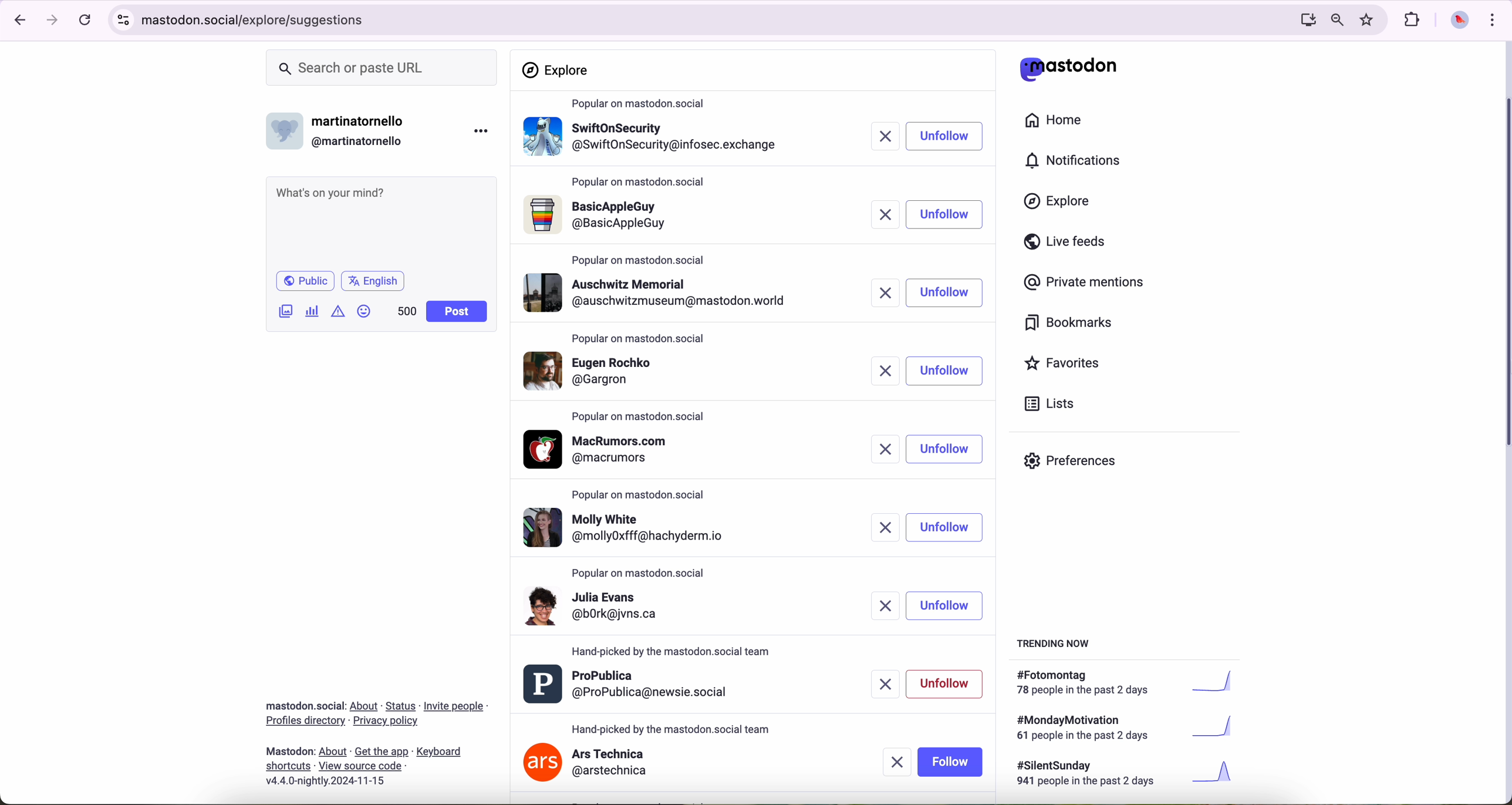 Image resolution: width=1512 pixels, height=805 pixels. Describe the element at coordinates (1060, 207) in the screenshot. I see `click on explore button` at that location.